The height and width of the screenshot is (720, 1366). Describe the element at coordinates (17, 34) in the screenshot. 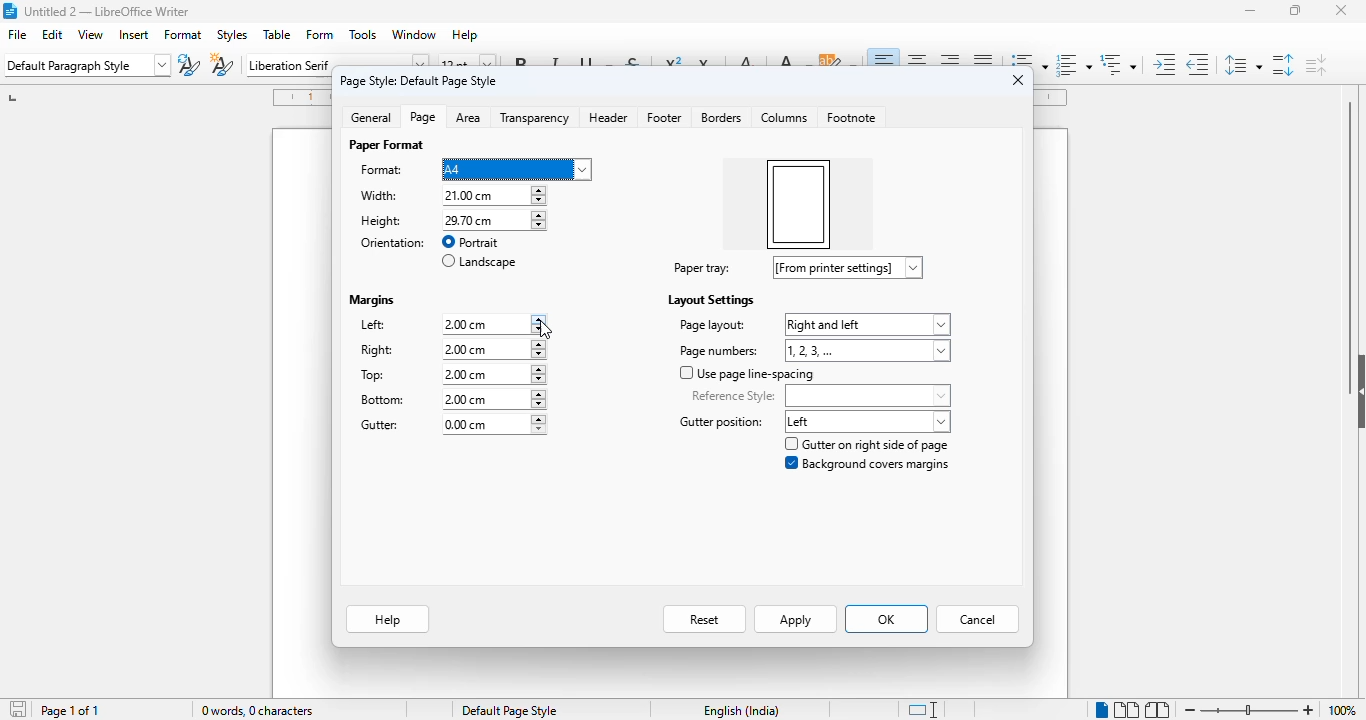

I see `file` at that location.